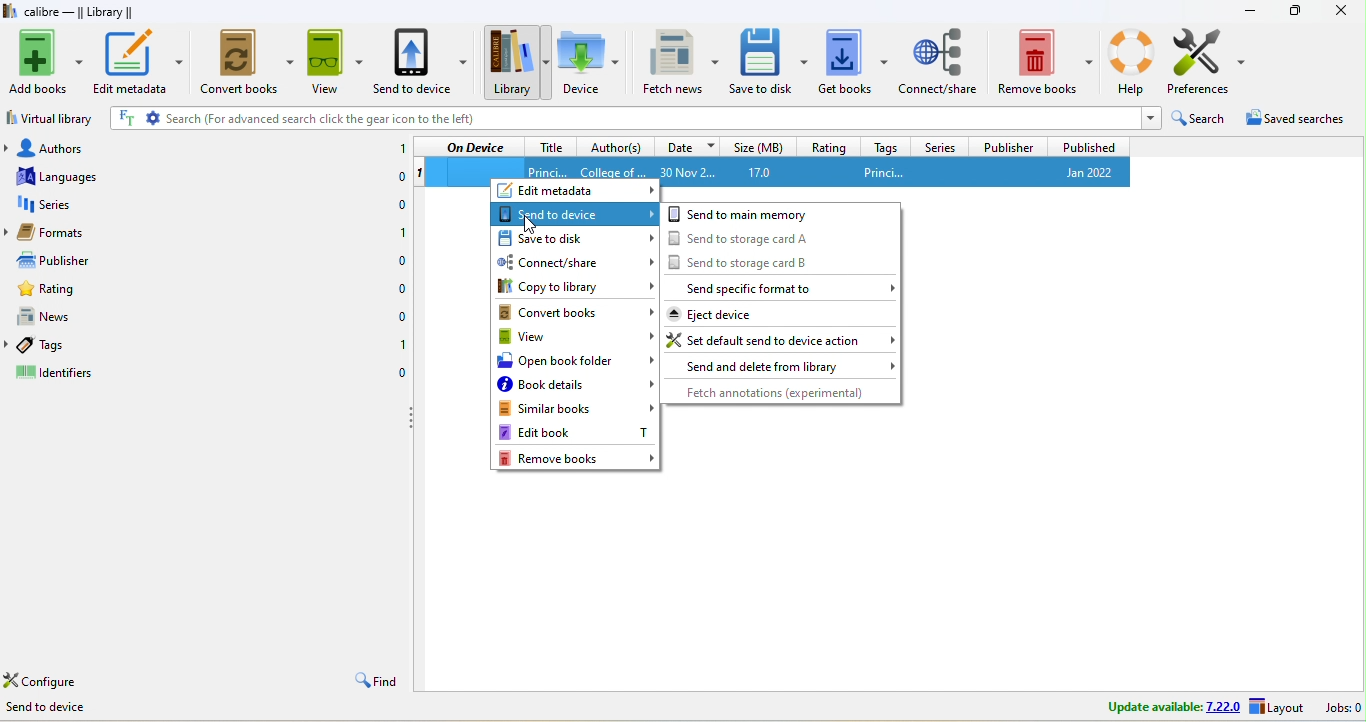 The image size is (1366, 722). Describe the element at coordinates (781, 261) in the screenshot. I see `send to storage card b` at that location.